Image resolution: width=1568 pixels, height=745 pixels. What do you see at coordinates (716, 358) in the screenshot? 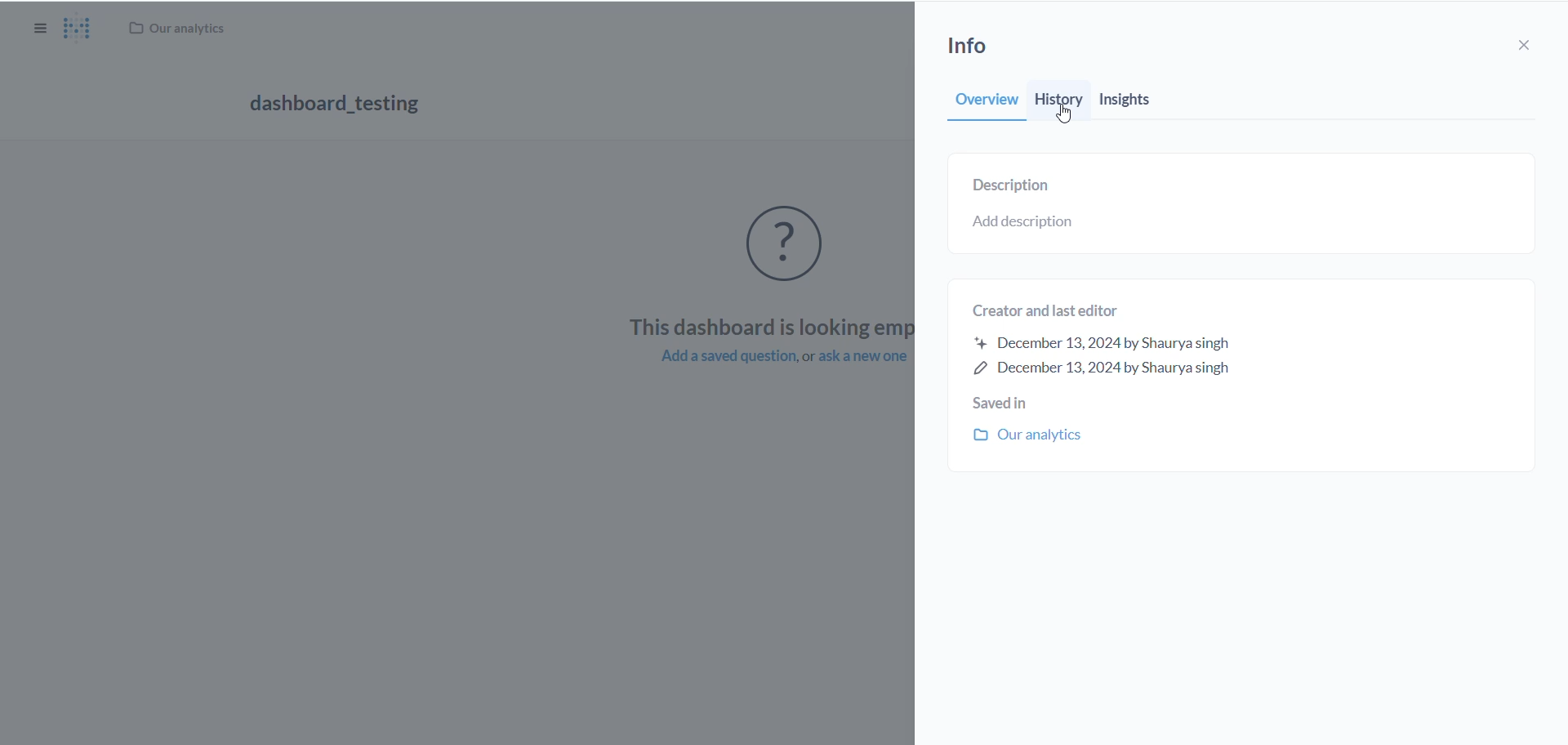
I see `add a saved question` at bounding box center [716, 358].